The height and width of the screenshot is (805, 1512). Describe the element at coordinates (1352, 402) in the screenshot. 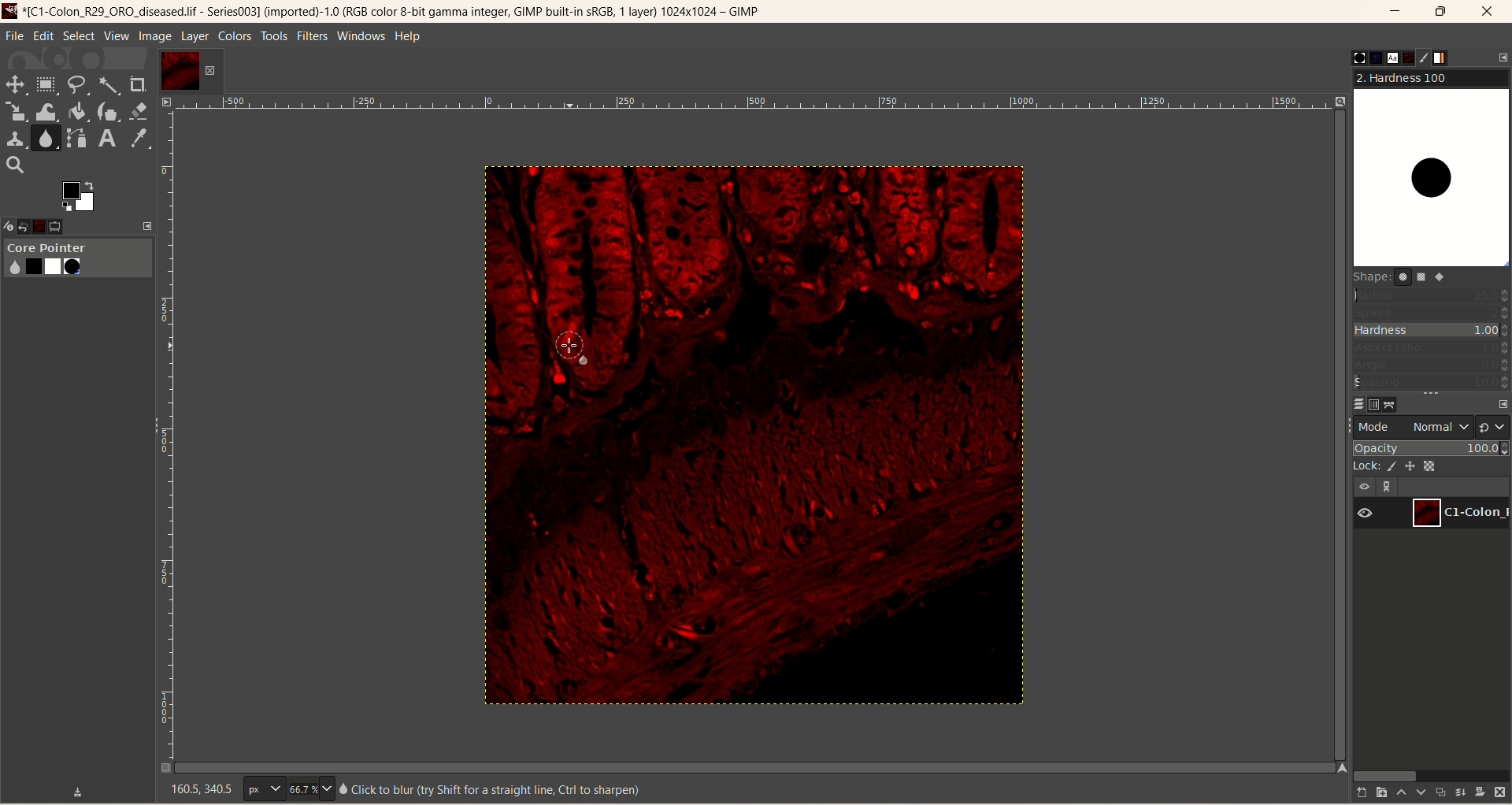

I see `layers` at that location.